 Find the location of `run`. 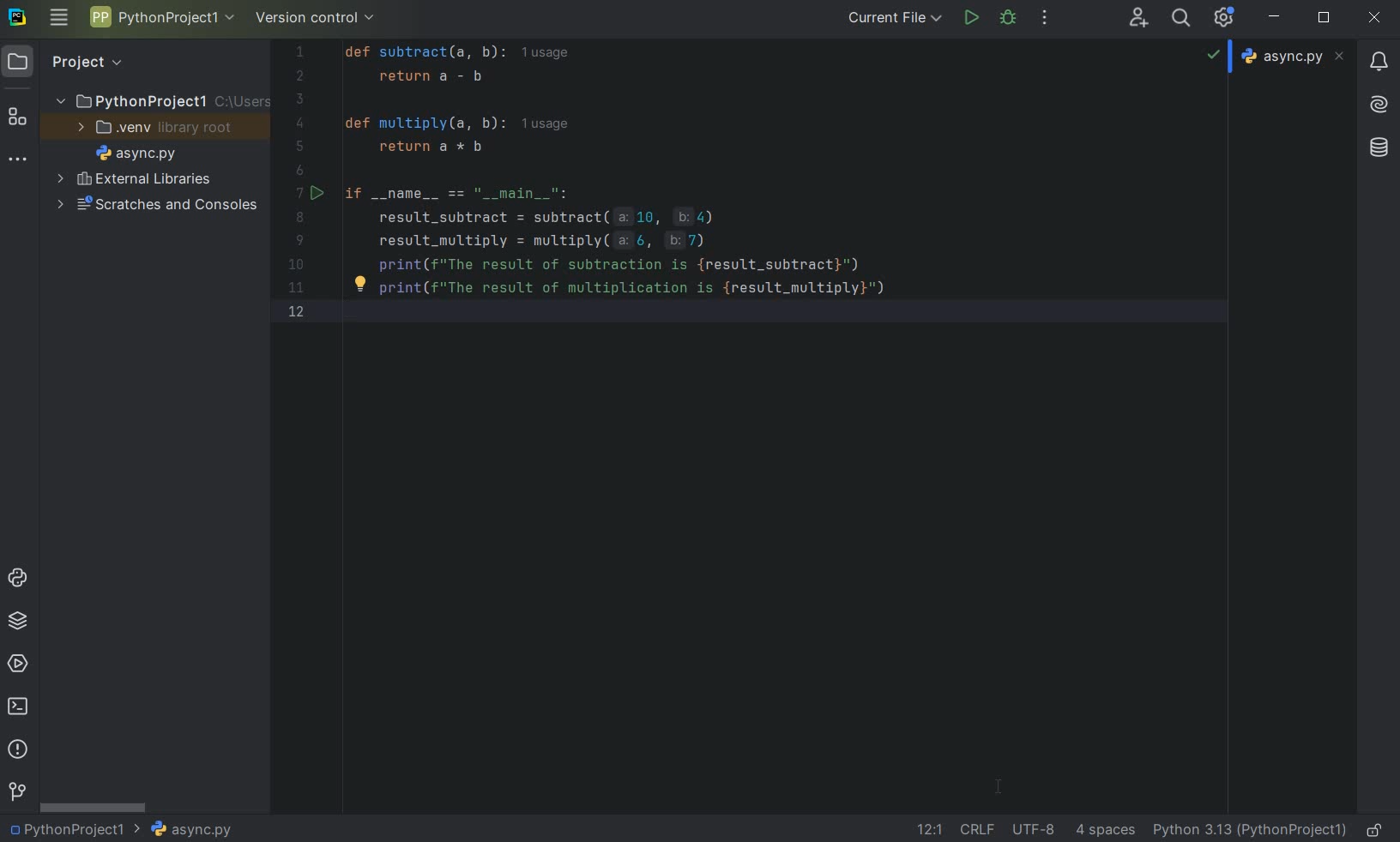

run is located at coordinates (970, 18).